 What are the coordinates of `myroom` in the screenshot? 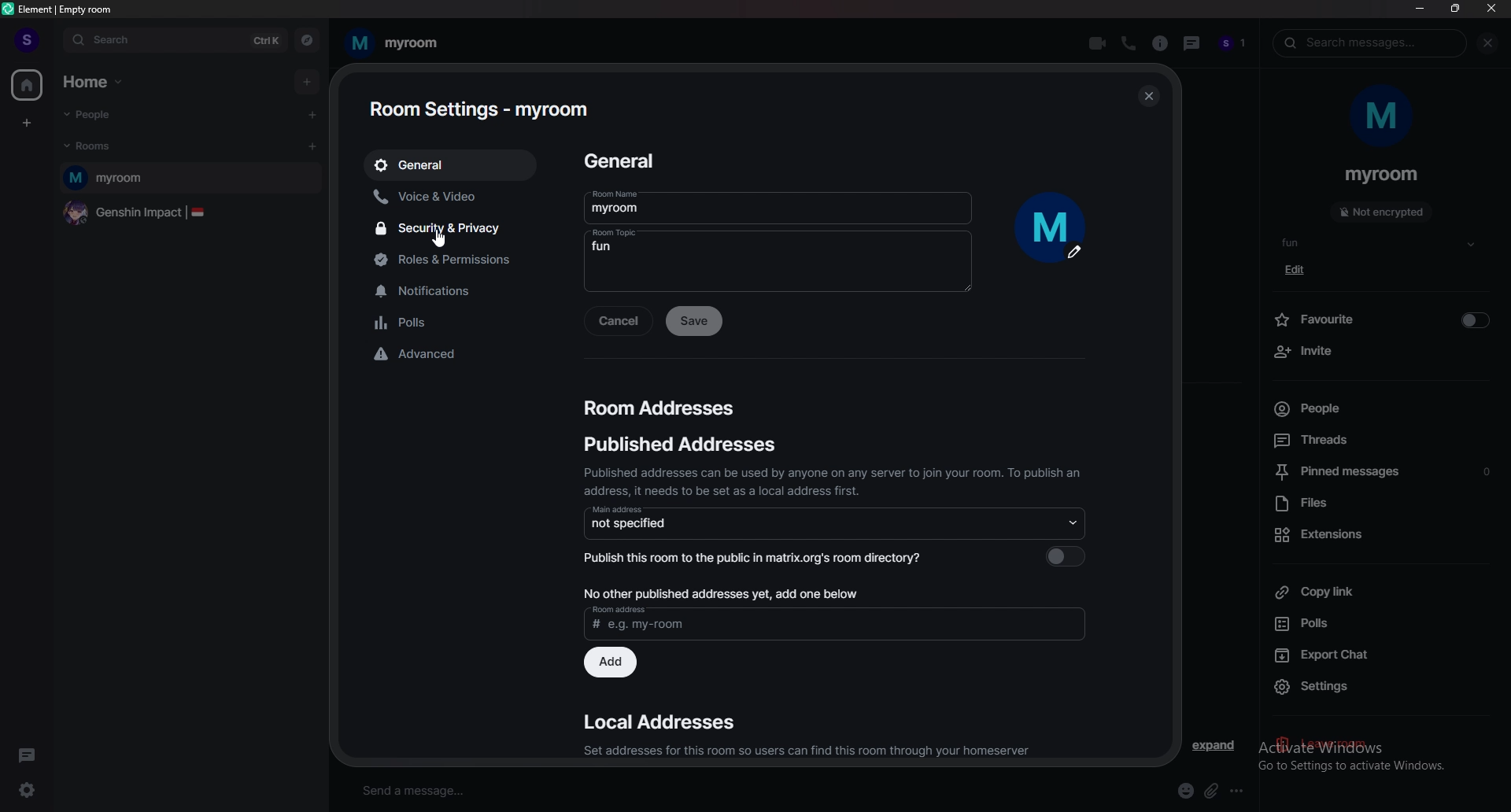 It's located at (778, 206).